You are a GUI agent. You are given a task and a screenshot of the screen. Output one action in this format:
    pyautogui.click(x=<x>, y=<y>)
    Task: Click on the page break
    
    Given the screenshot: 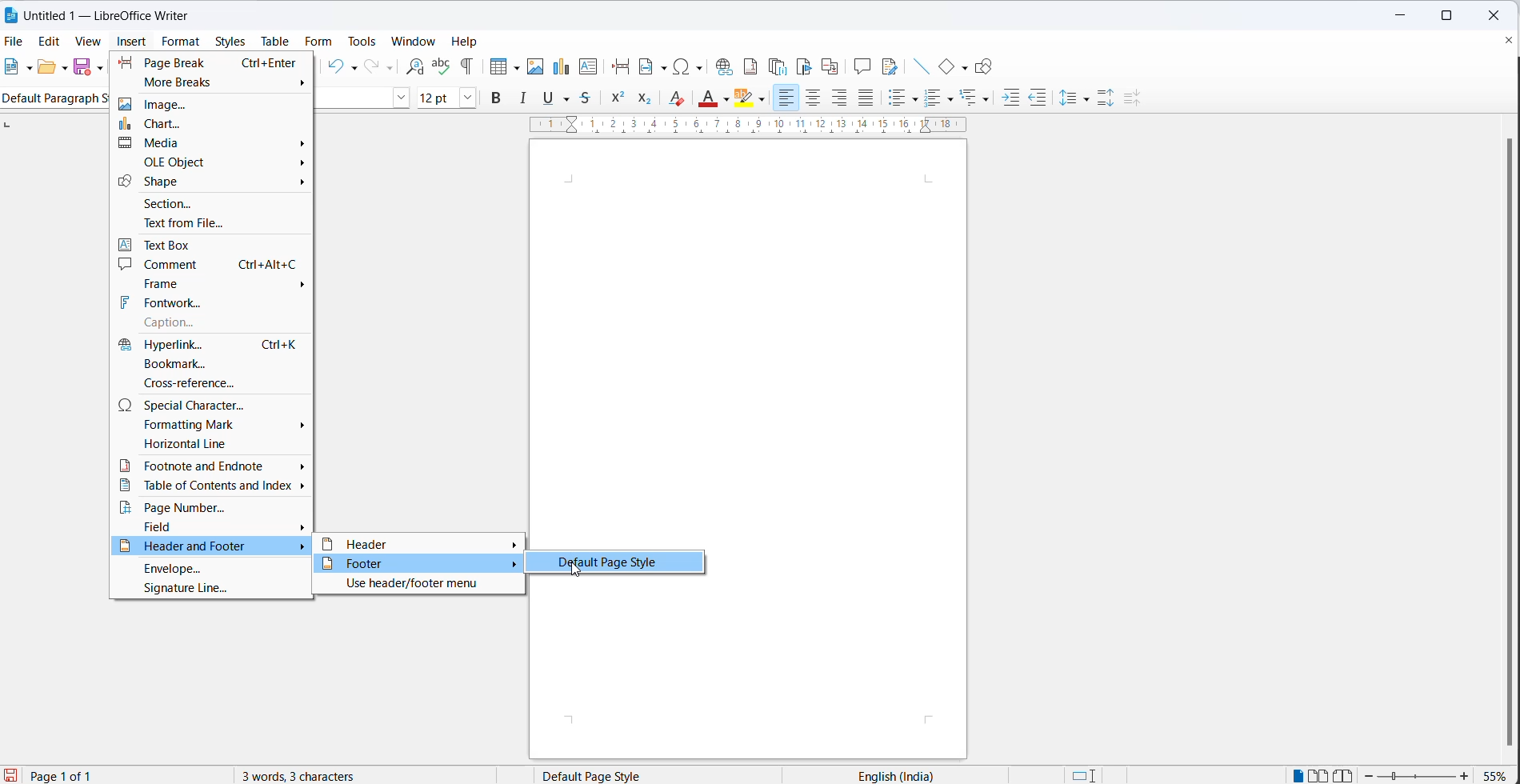 What is the action you would take?
    pyautogui.click(x=210, y=63)
    